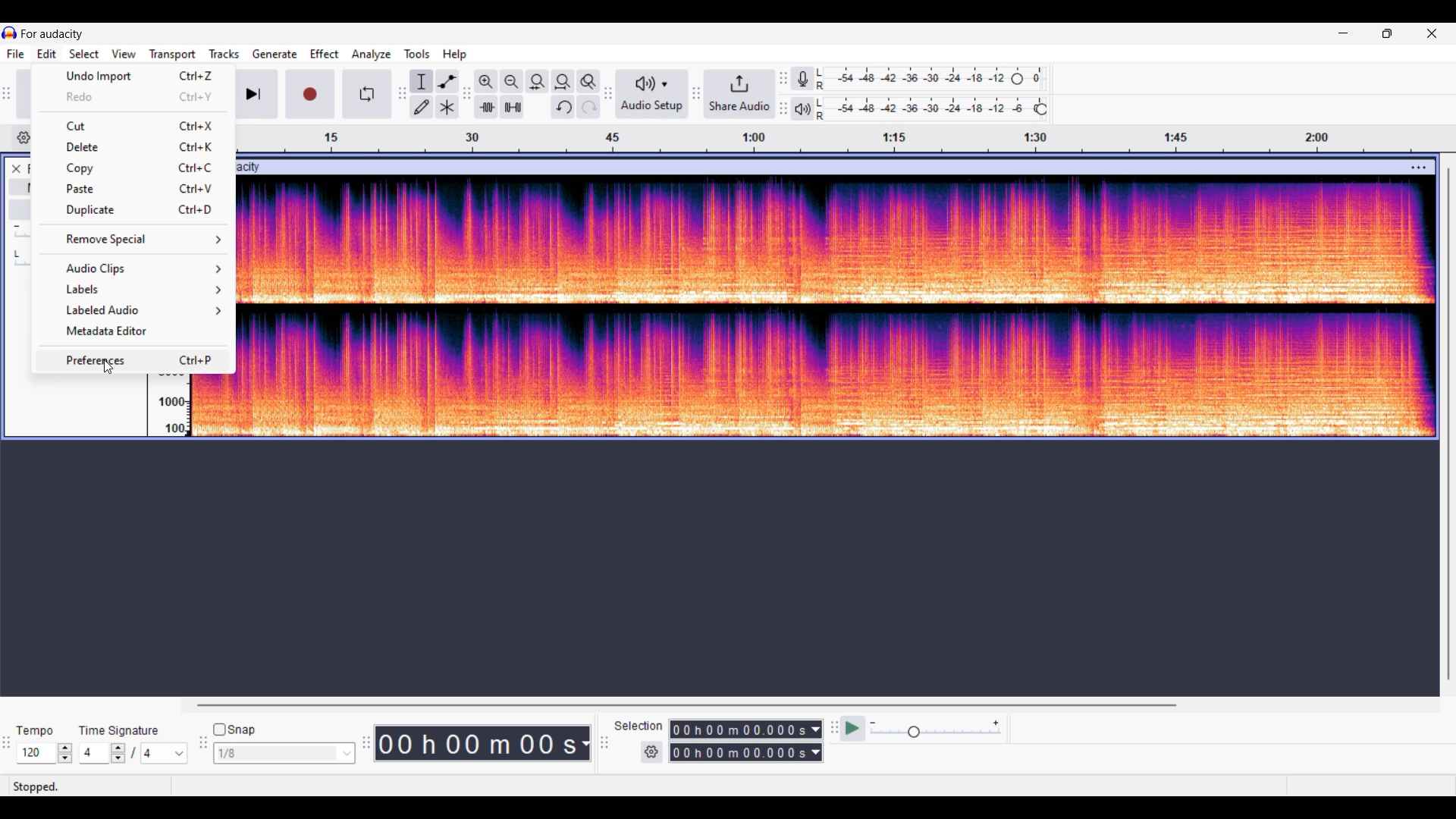  What do you see at coordinates (652, 93) in the screenshot?
I see `Audio setup` at bounding box center [652, 93].